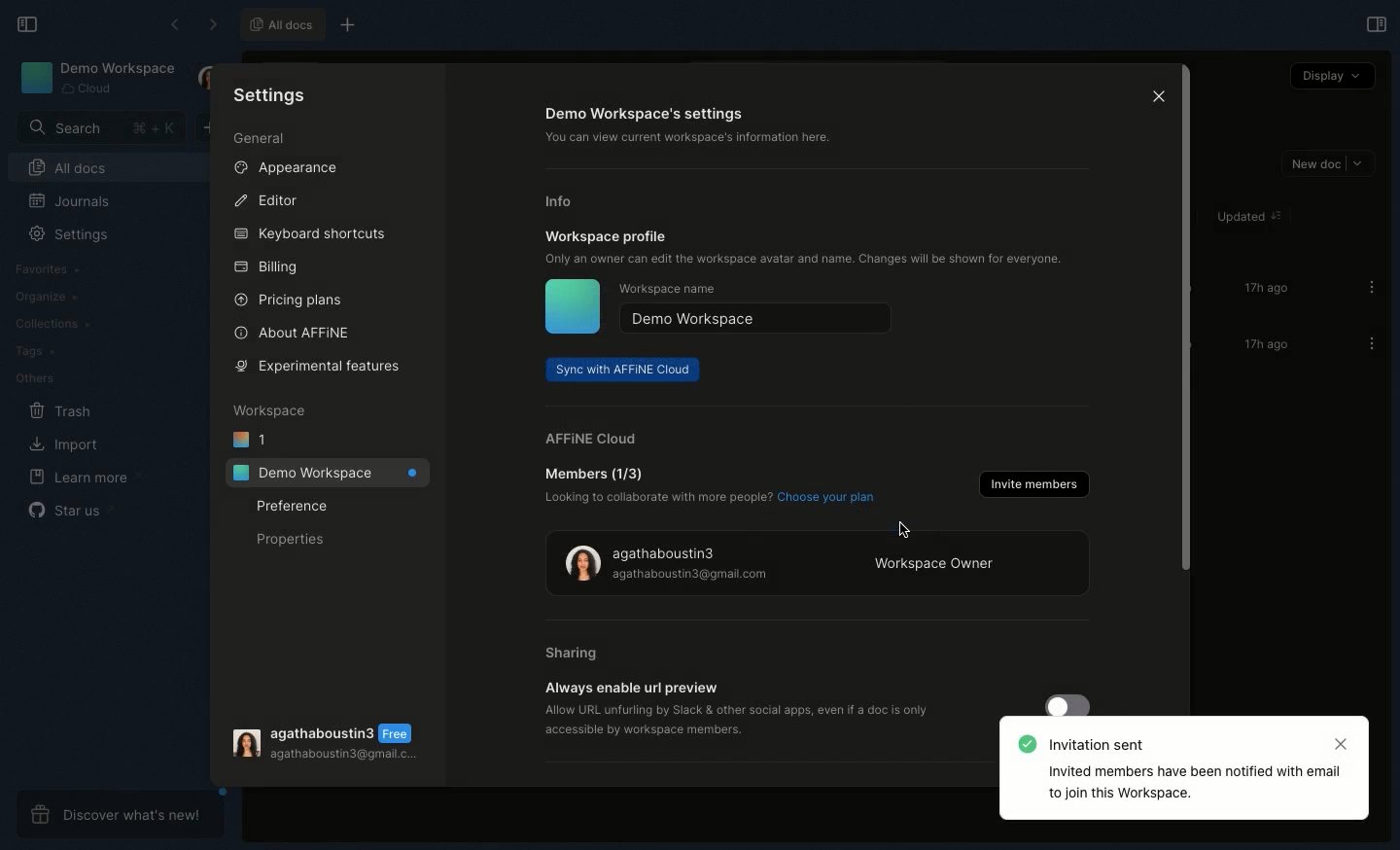  I want to click on Tags, so click(31, 351).